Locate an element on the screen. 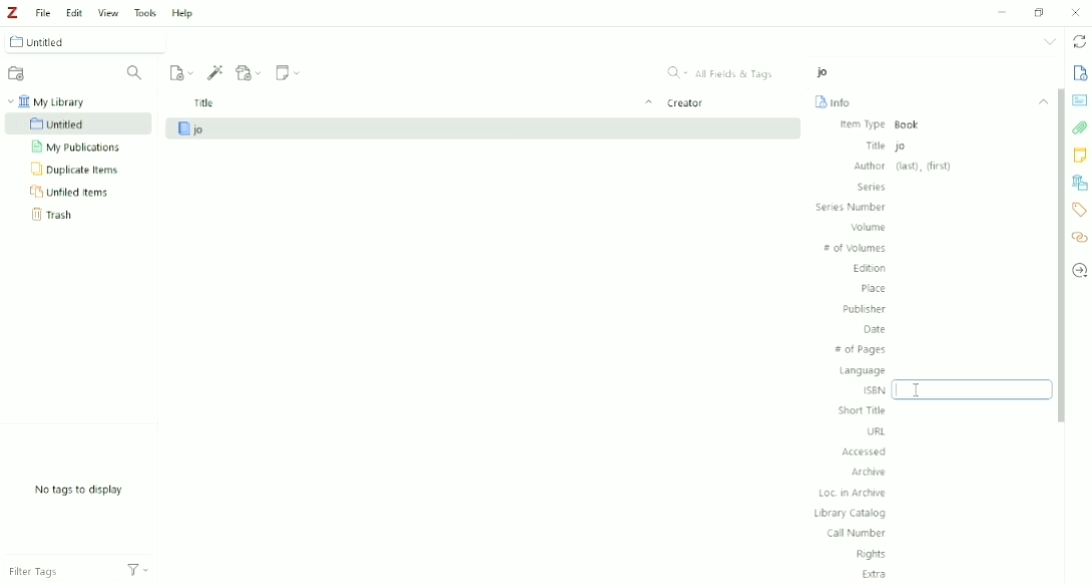 The width and height of the screenshot is (1092, 584). Unfiled Items is located at coordinates (74, 193).